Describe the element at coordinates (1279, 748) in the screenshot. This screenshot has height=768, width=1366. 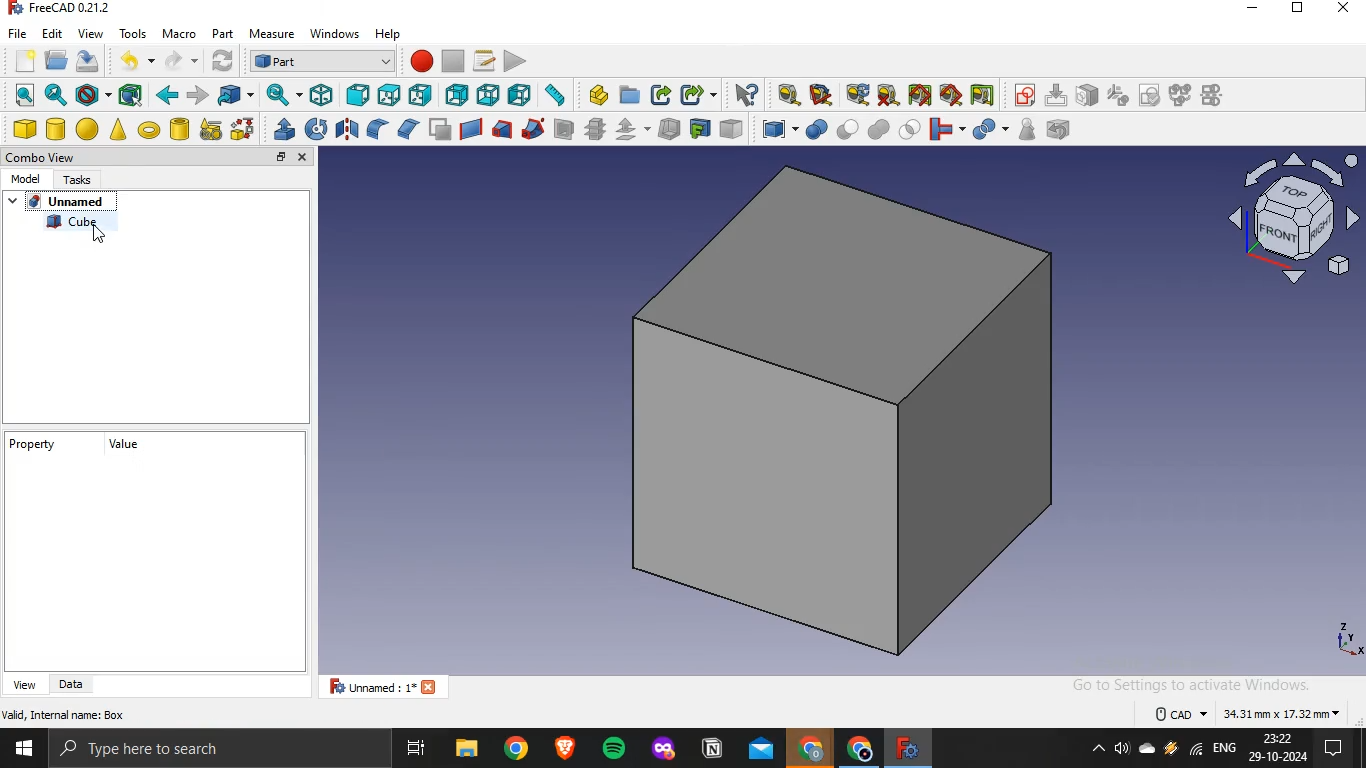
I see `time and date` at that location.